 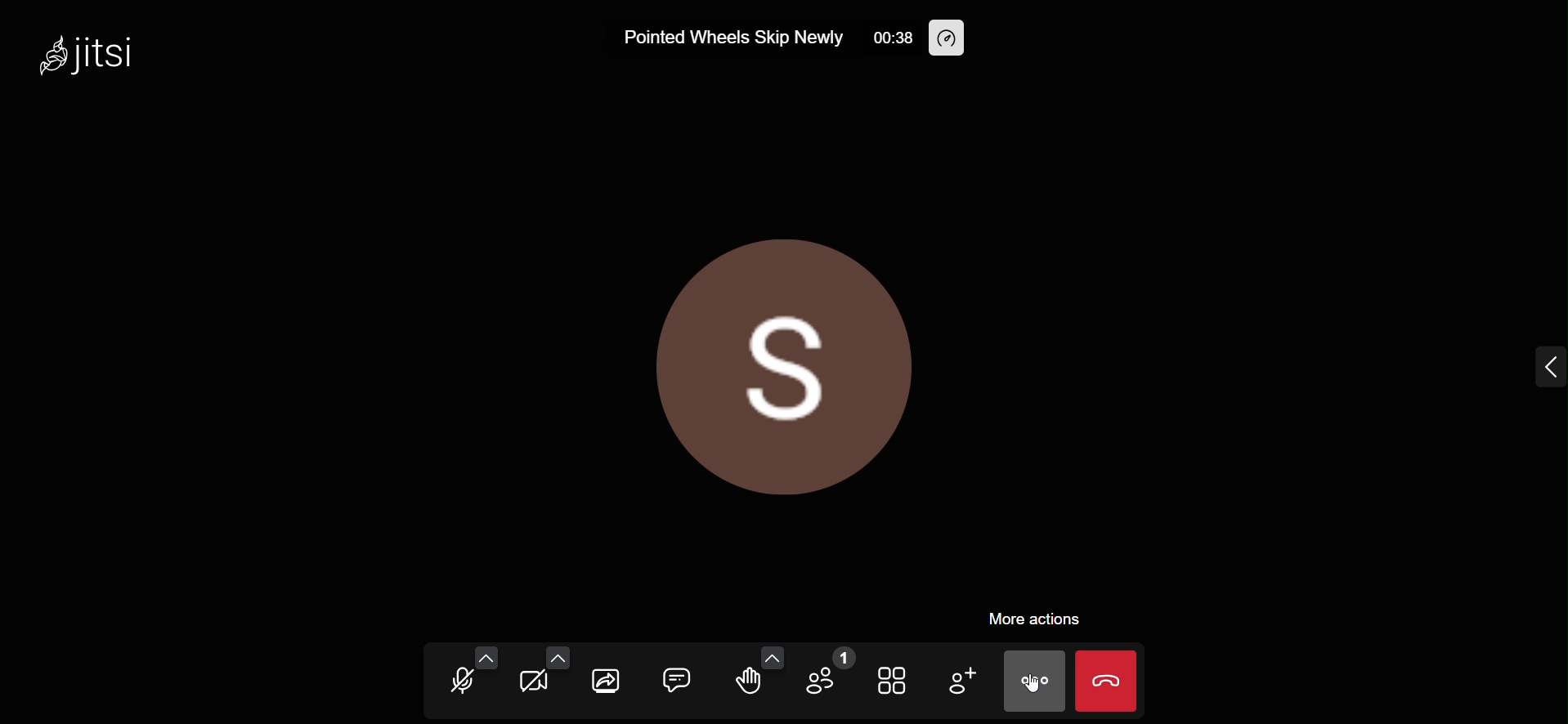 What do you see at coordinates (1111, 682) in the screenshot?
I see `end meeting` at bounding box center [1111, 682].